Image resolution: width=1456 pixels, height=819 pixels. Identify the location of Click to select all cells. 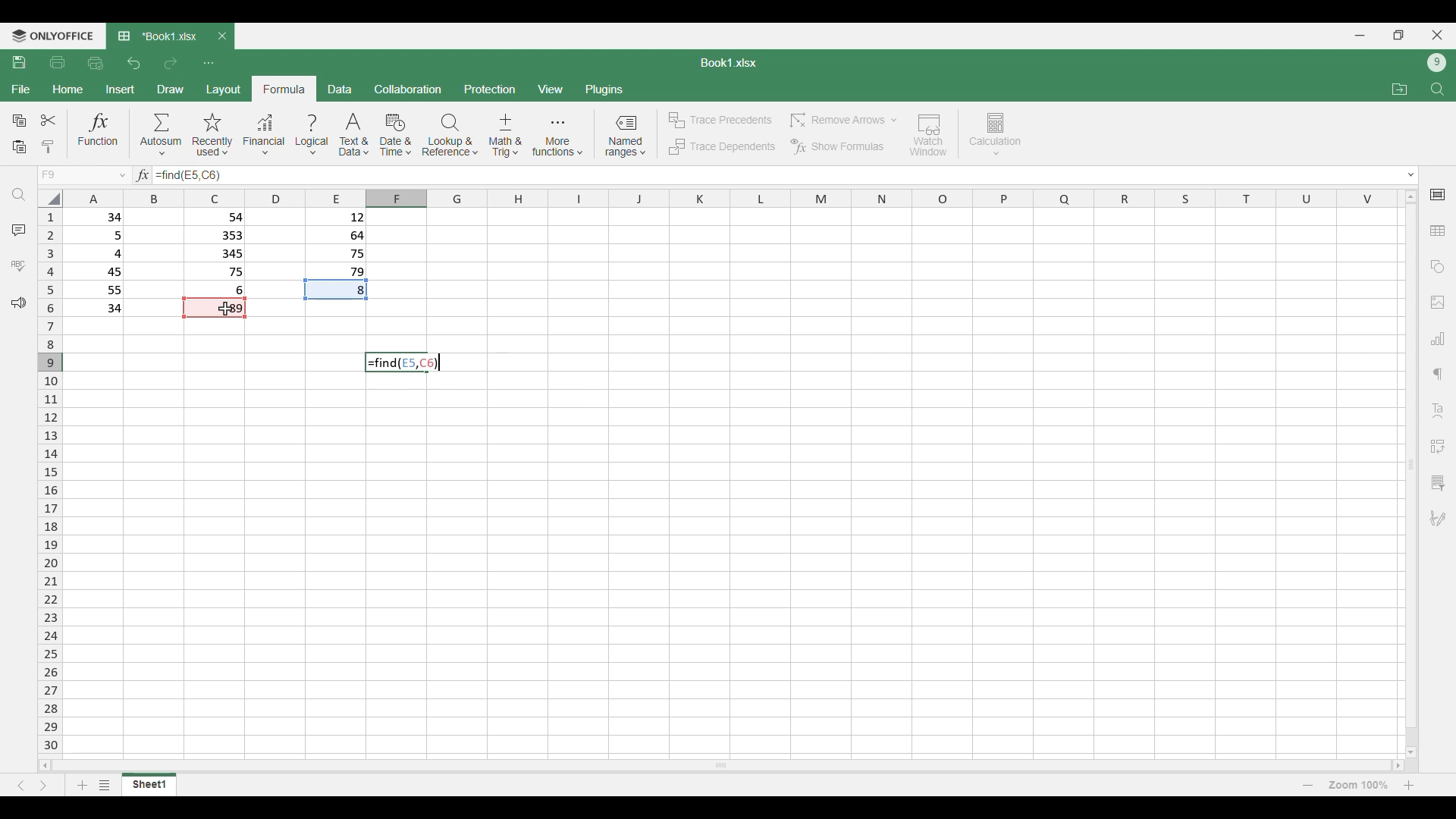
(49, 198).